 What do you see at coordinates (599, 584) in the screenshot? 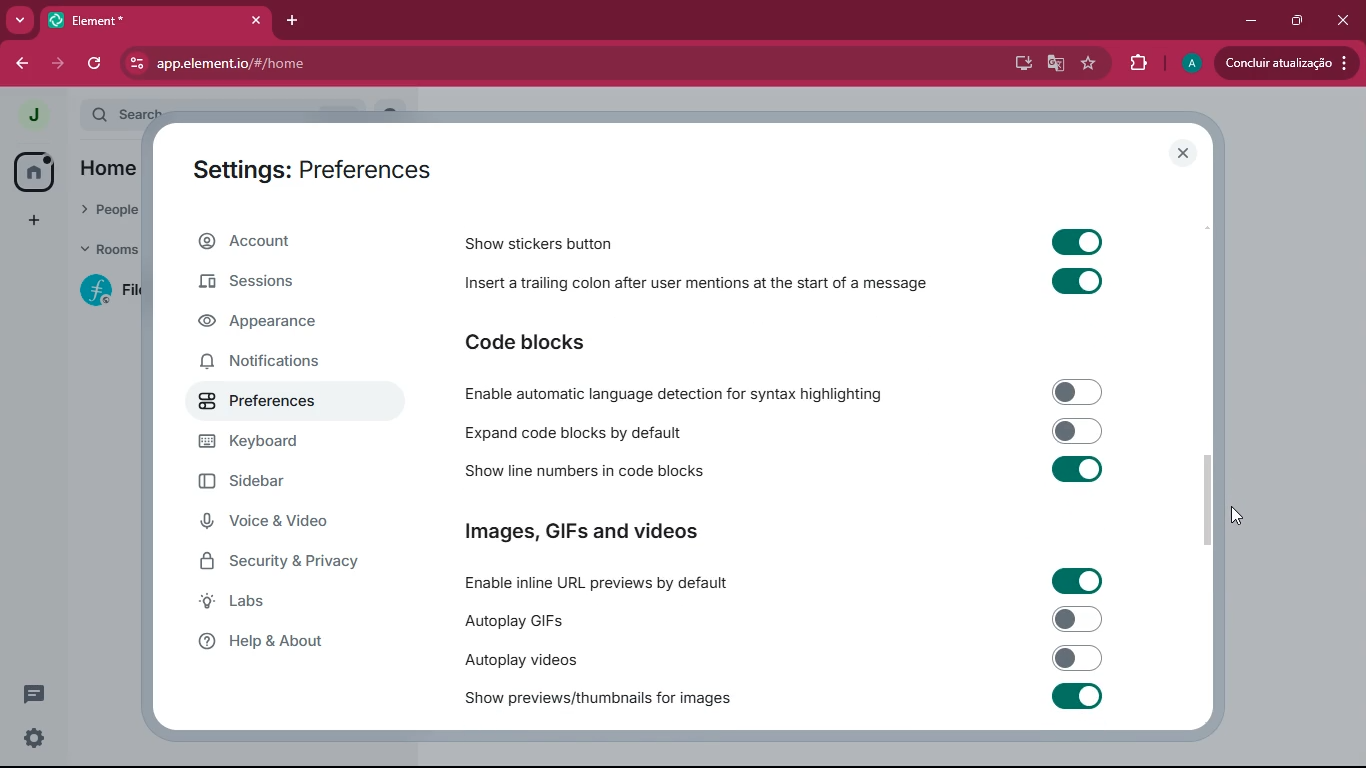
I see `enable inline` at bounding box center [599, 584].